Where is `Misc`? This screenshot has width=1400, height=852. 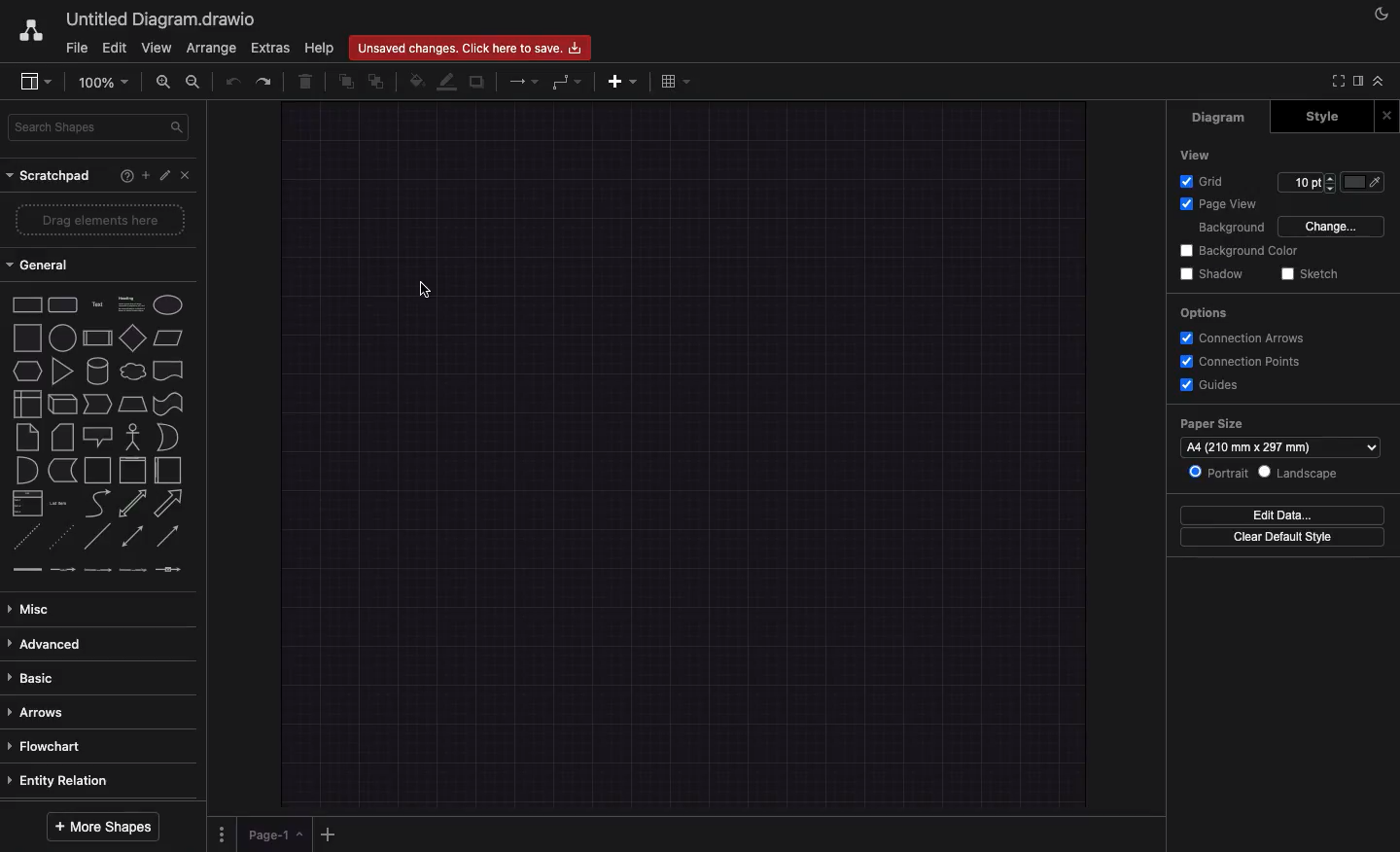
Misc is located at coordinates (36, 611).